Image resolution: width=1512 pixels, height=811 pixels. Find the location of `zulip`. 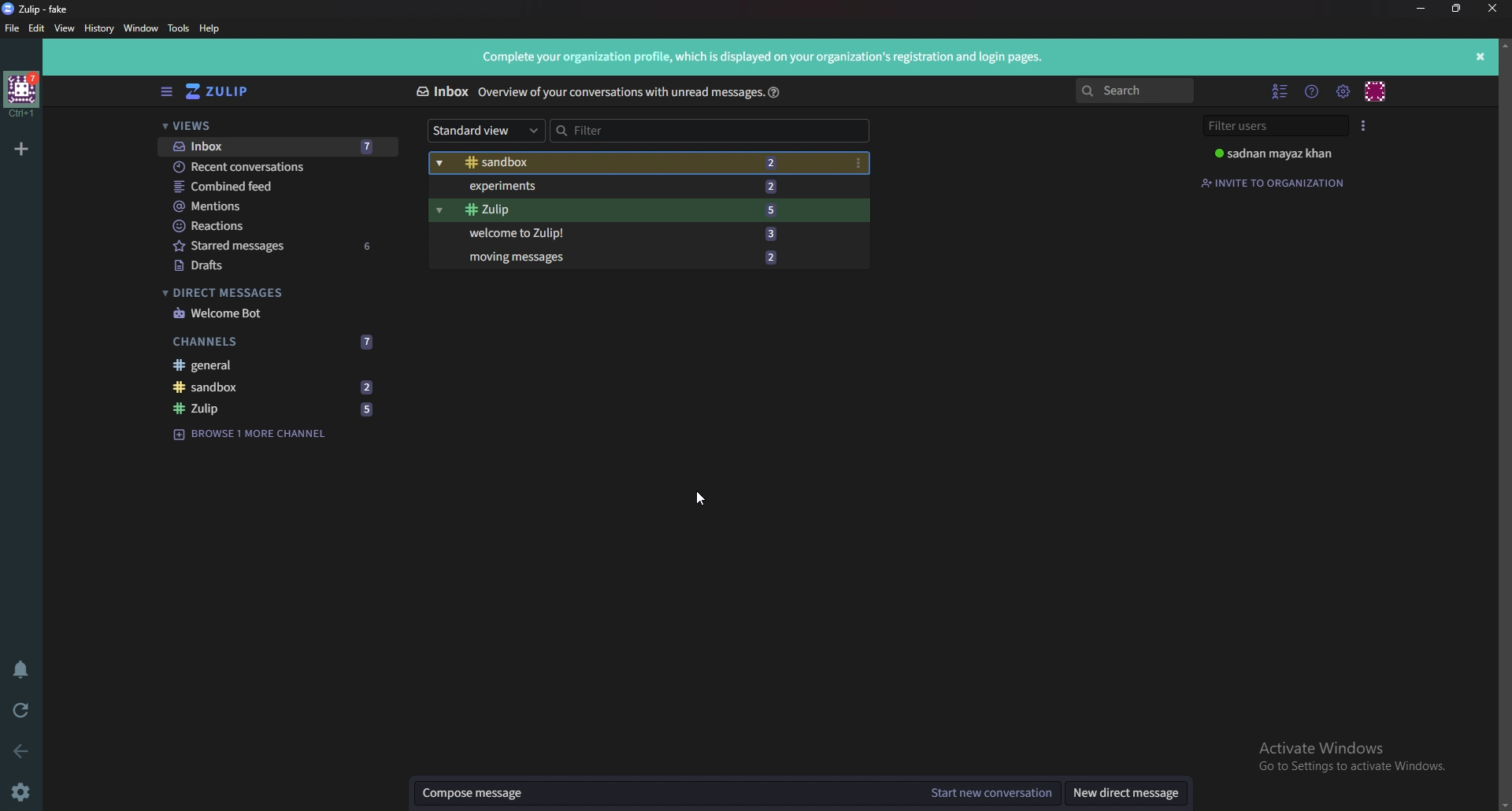

zulip is located at coordinates (274, 409).